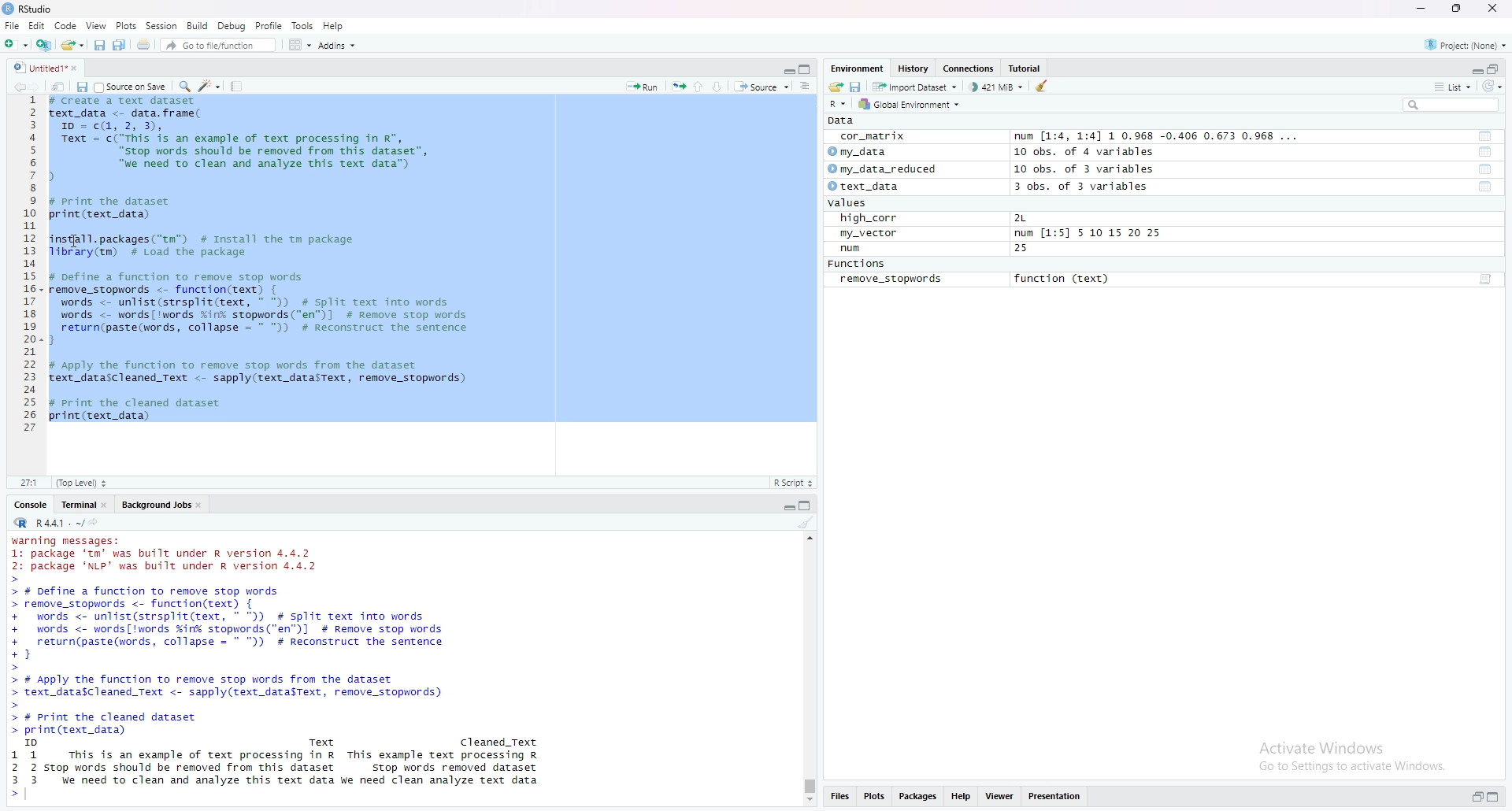  I want to click on save workspace, so click(857, 87).